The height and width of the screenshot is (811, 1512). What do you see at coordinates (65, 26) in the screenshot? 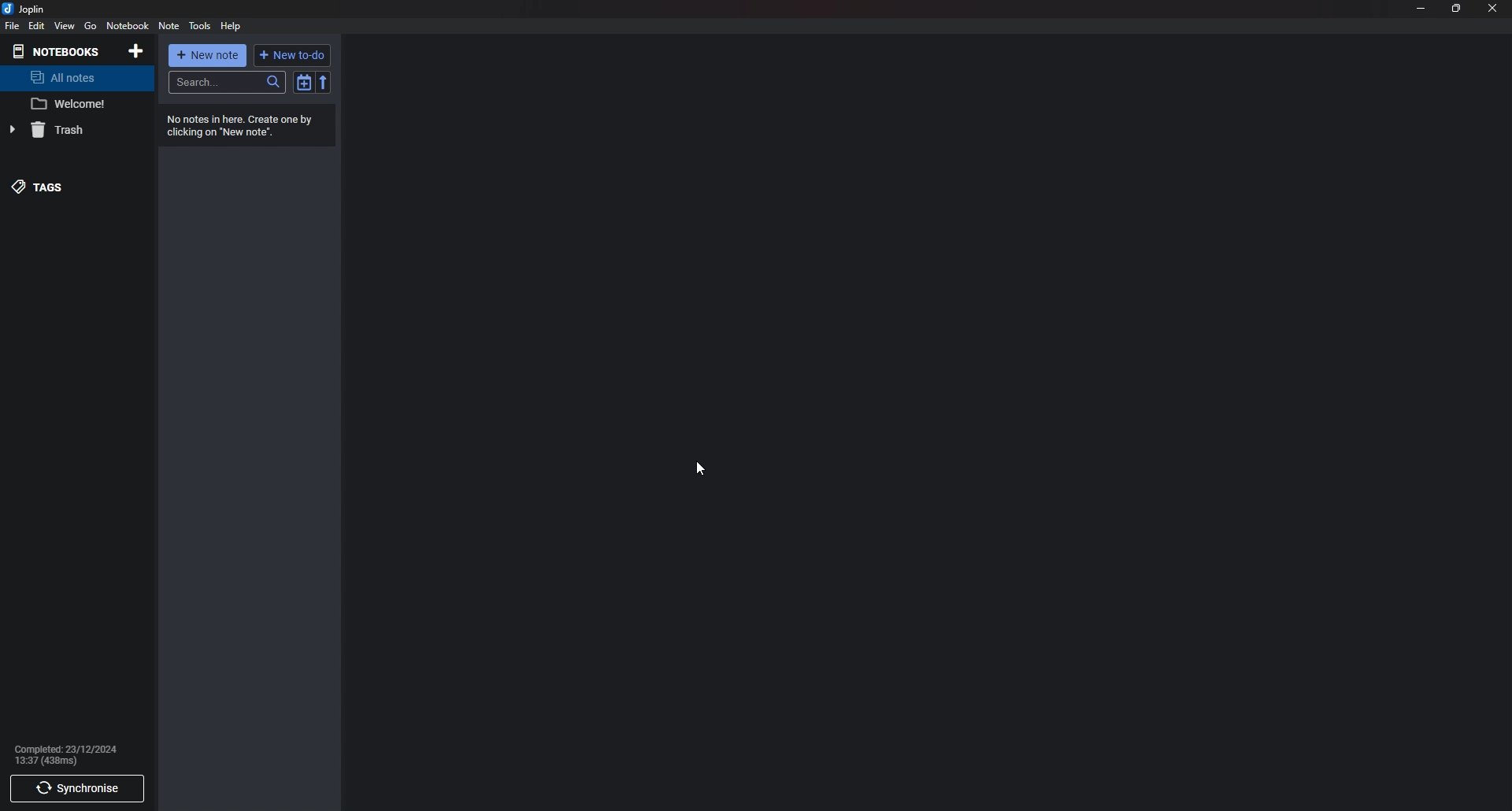
I see `View` at bounding box center [65, 26].